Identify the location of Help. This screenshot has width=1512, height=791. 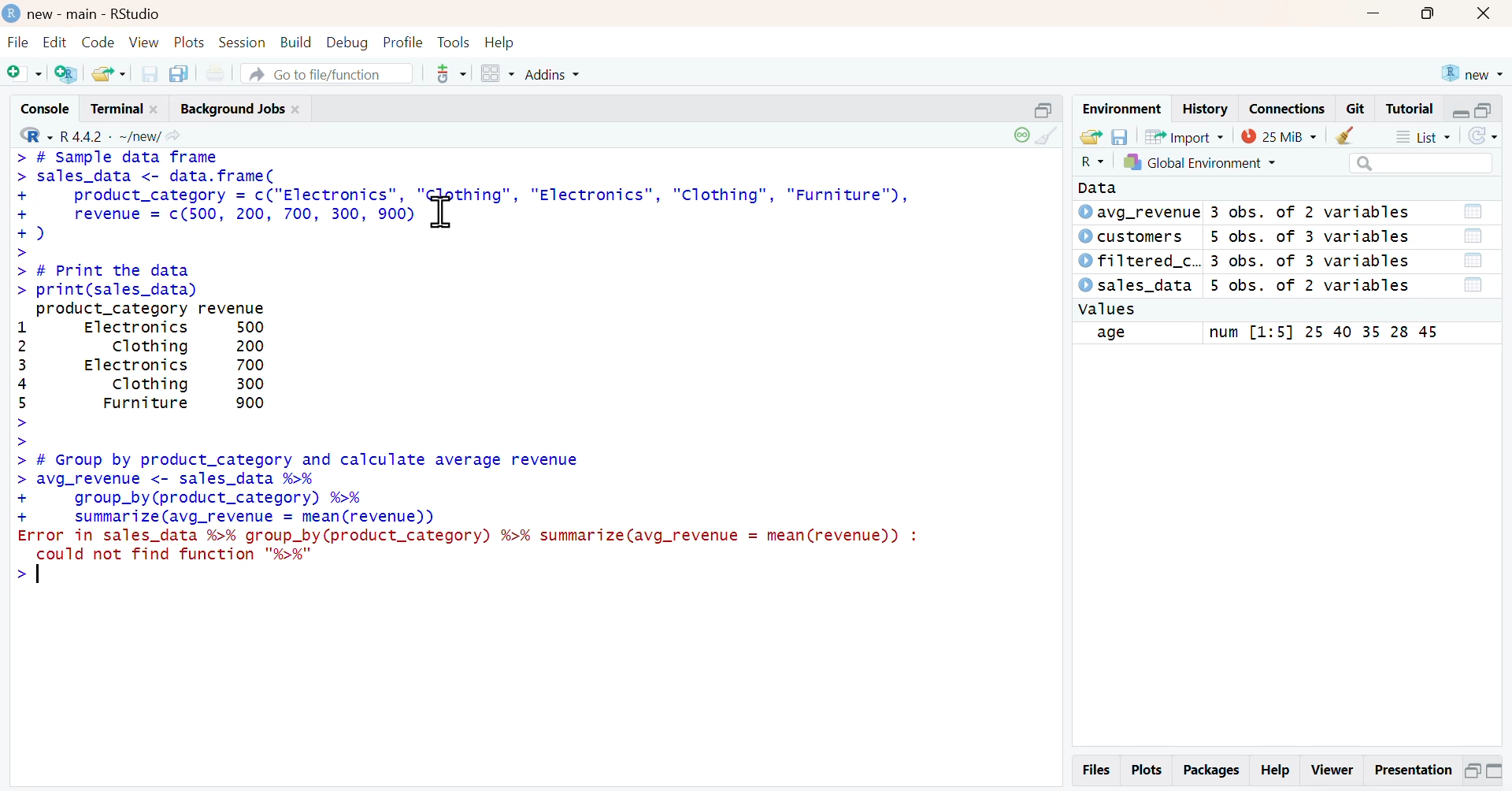
(1274, 772).